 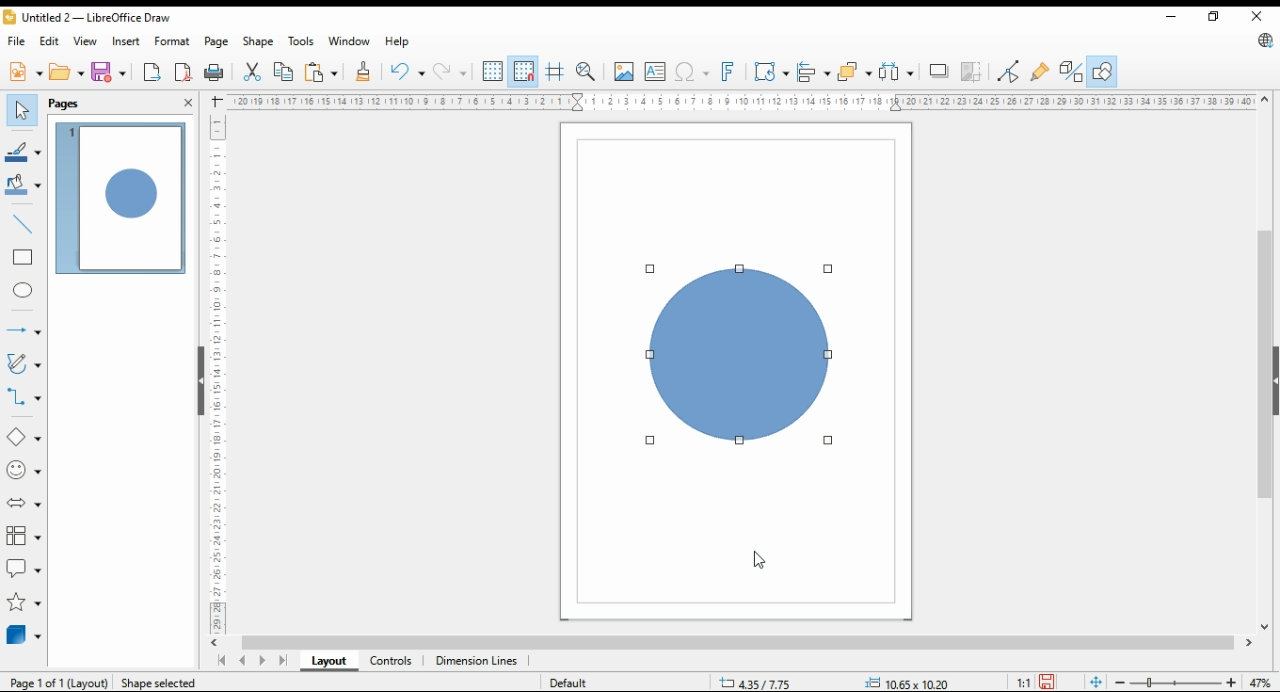 What do you see at coordinates (24, 225) in the screenshot?
I see `insert line` at bounding box center [24, 225].